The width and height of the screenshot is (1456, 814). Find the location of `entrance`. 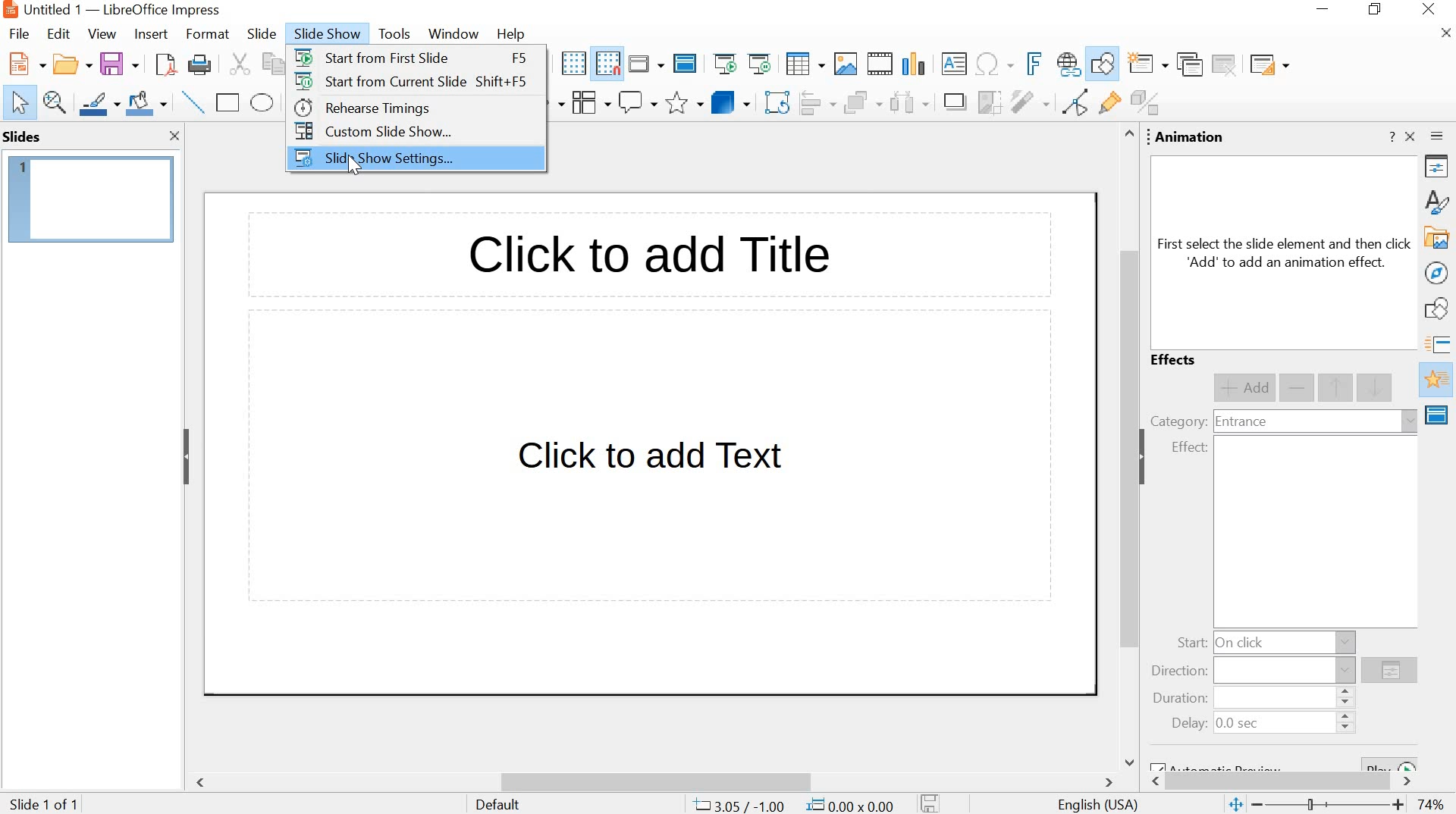

entrance is located at coordinates (1241, 423).